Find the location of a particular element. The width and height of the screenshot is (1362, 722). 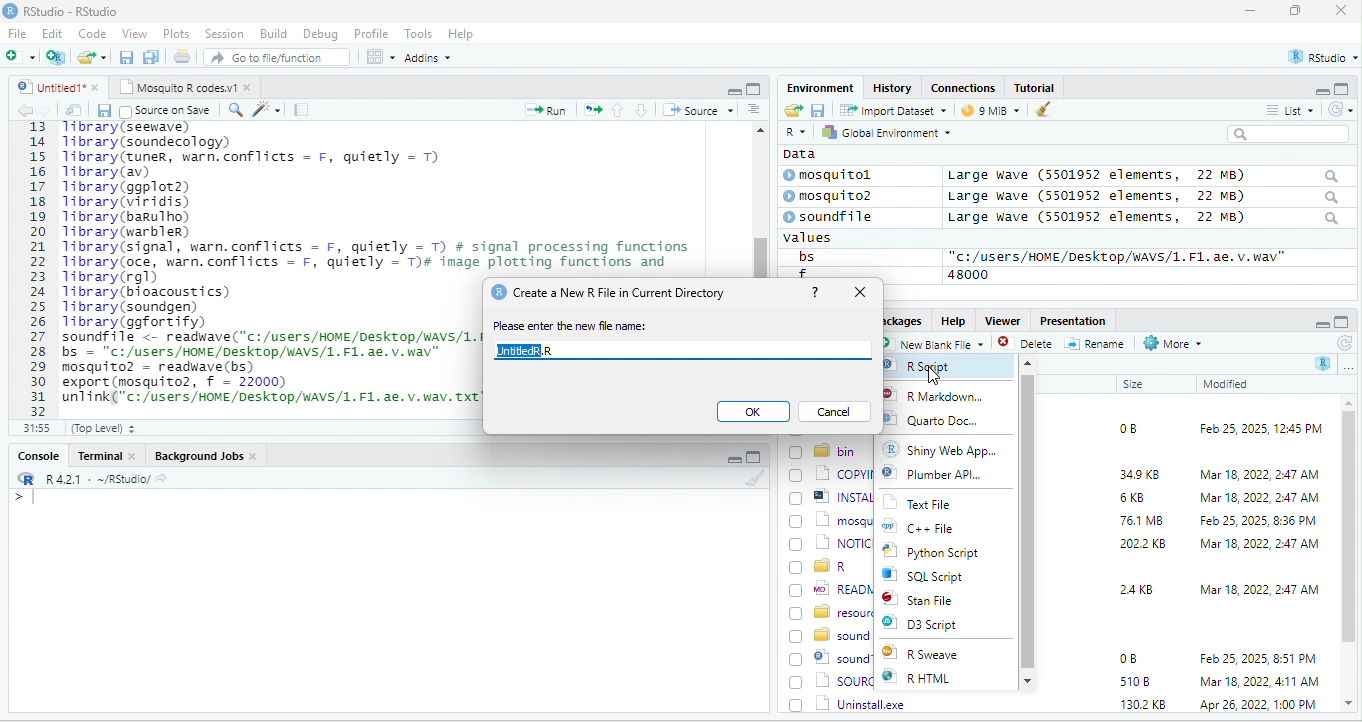

scroll bar is located at coordinates (760, 199).